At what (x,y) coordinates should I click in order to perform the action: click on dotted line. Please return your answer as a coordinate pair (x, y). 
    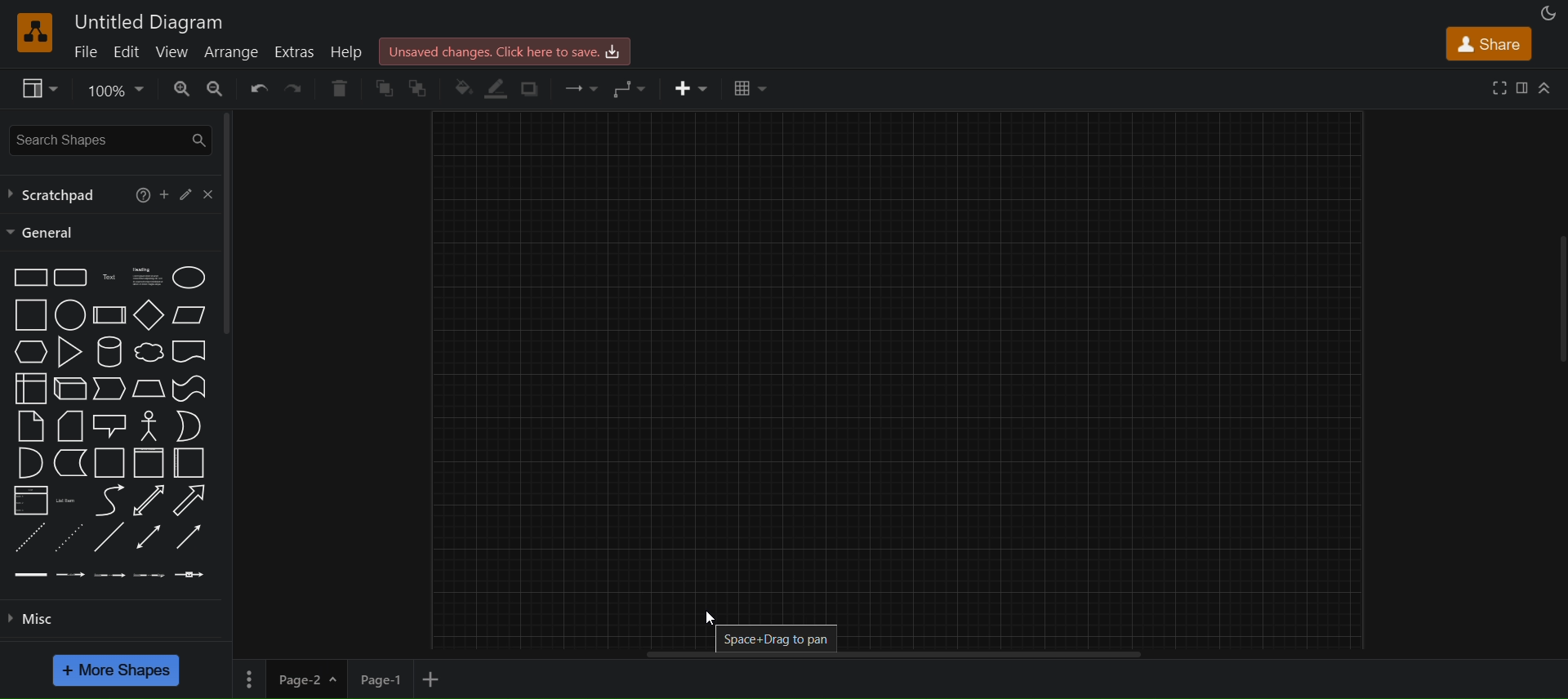
    Looking at the image, I should click on (66, 538).